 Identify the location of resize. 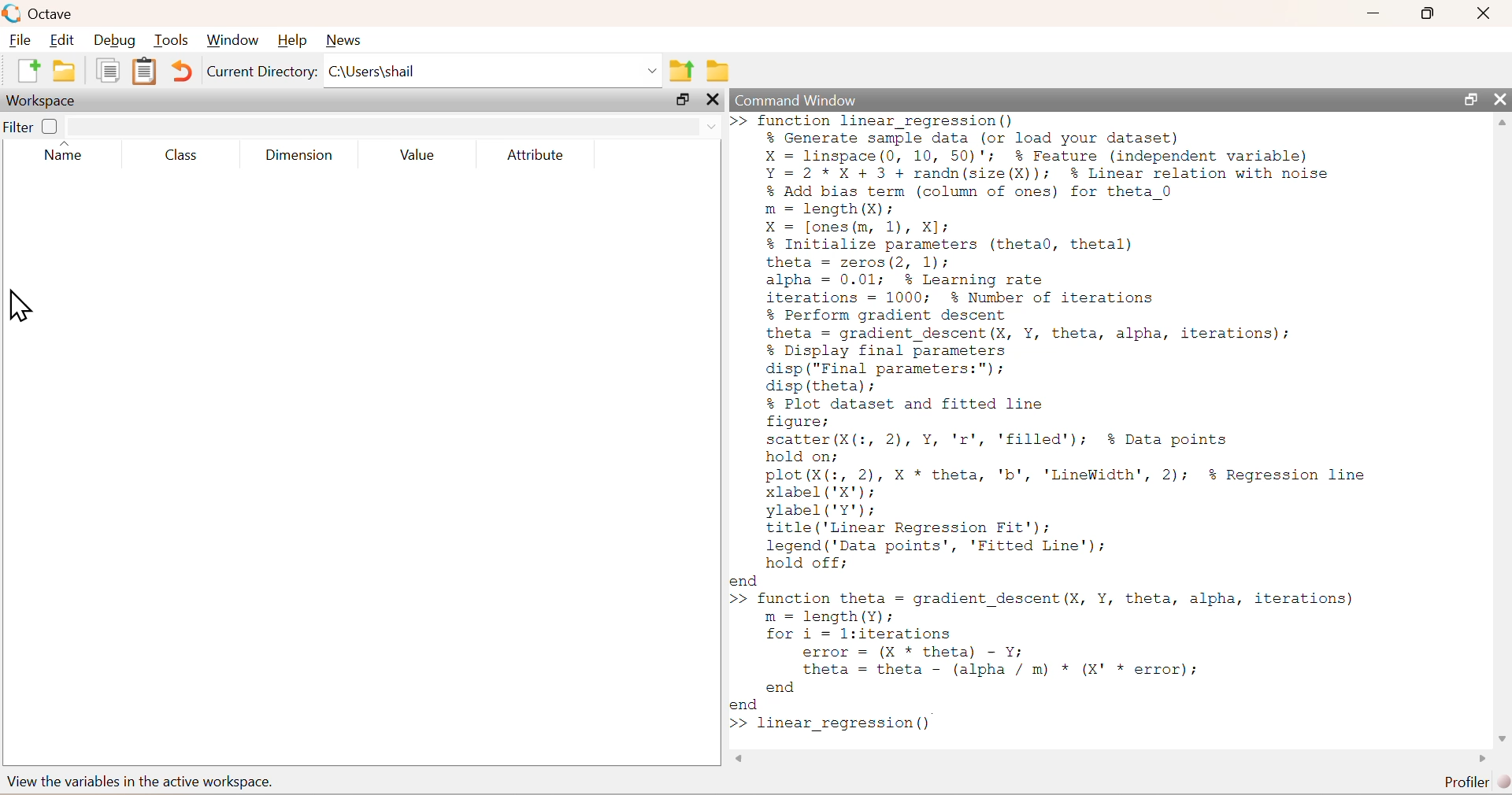
(1429, 14).